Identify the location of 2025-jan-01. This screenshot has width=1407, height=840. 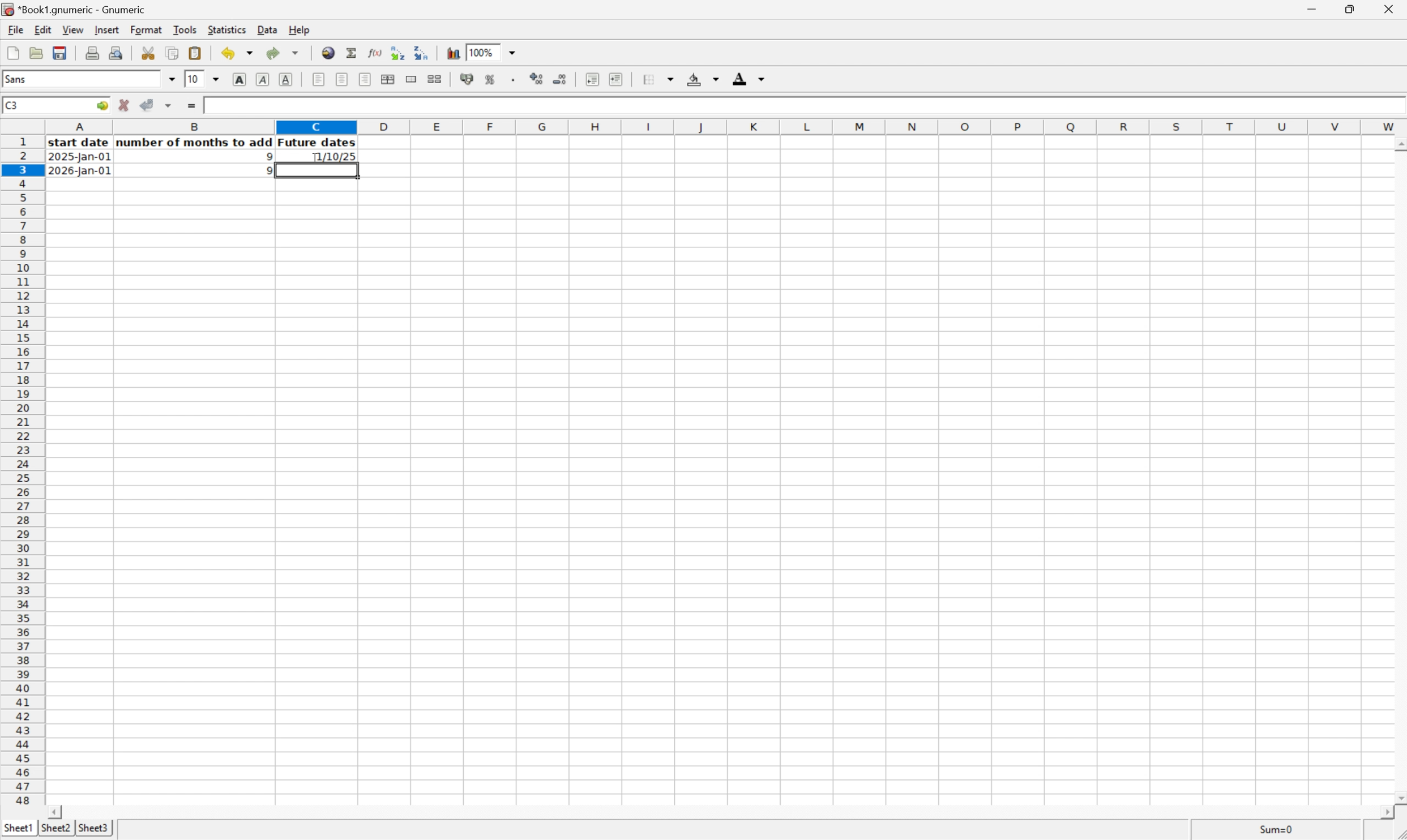
(81, 158).